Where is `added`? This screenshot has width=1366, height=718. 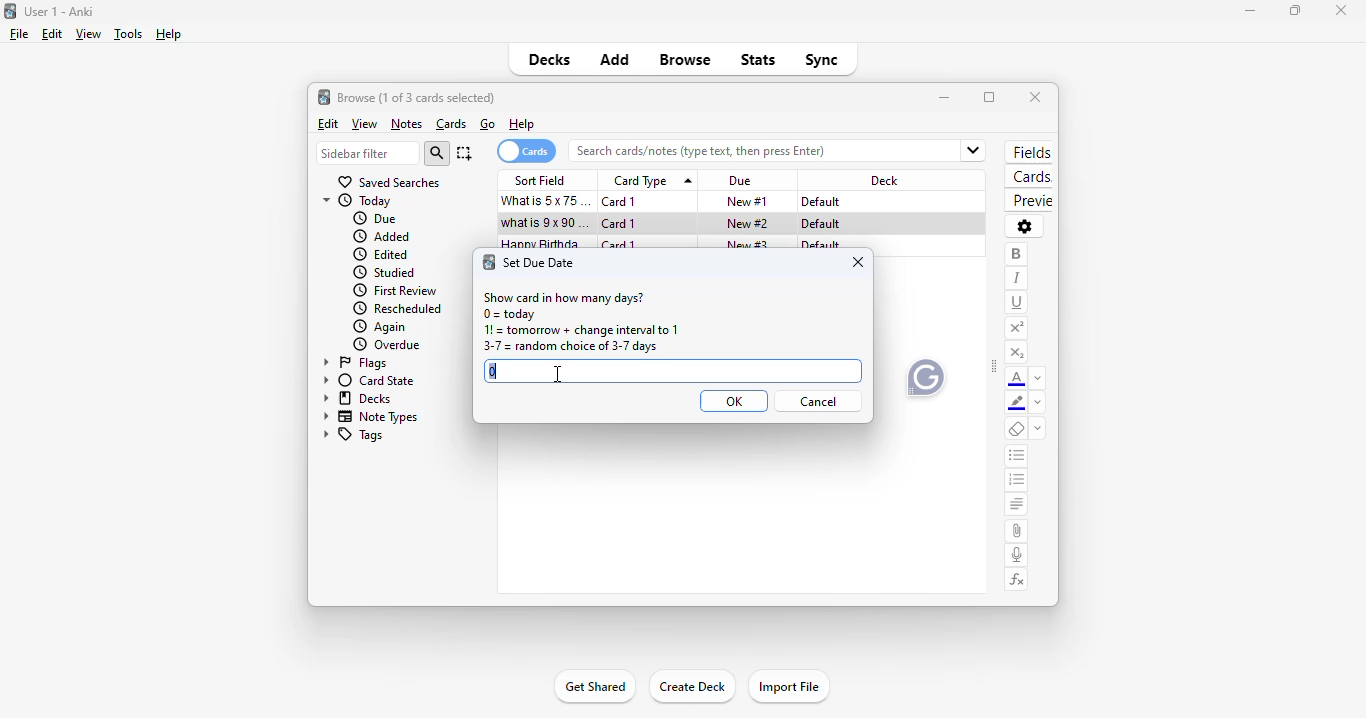 added is located at coordinates (382, 236).